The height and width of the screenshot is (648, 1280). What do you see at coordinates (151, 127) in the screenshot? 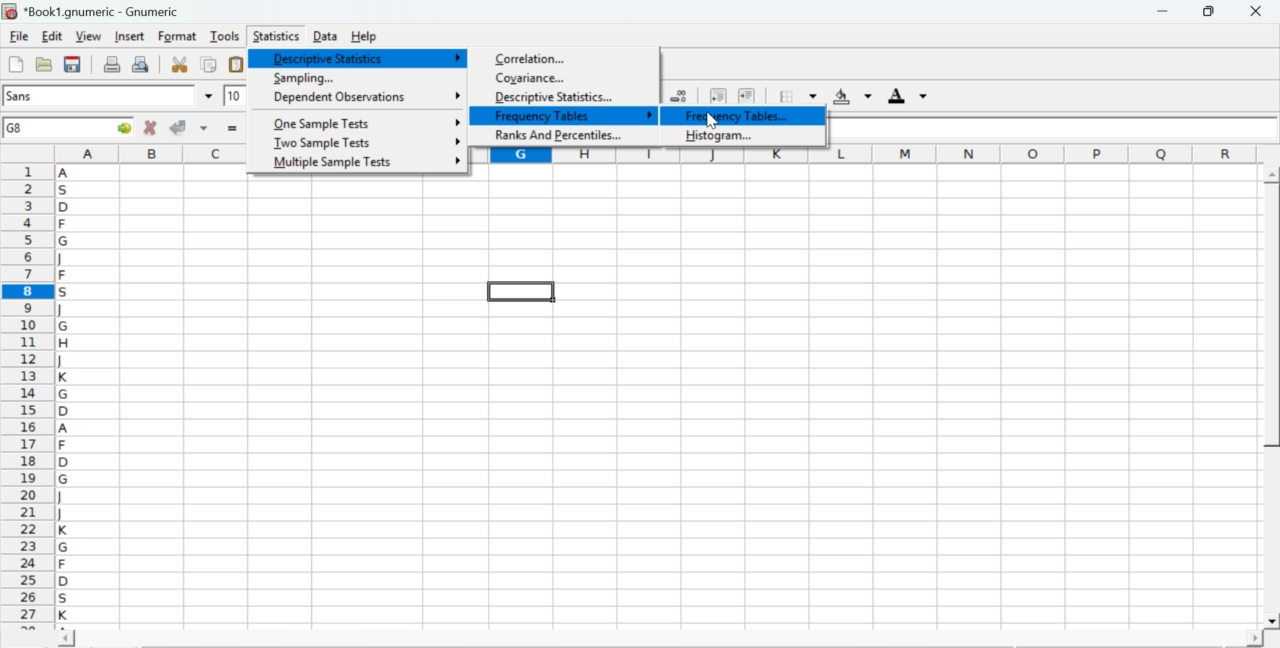
I see `cancel changes` at bounding box center [151, 127].